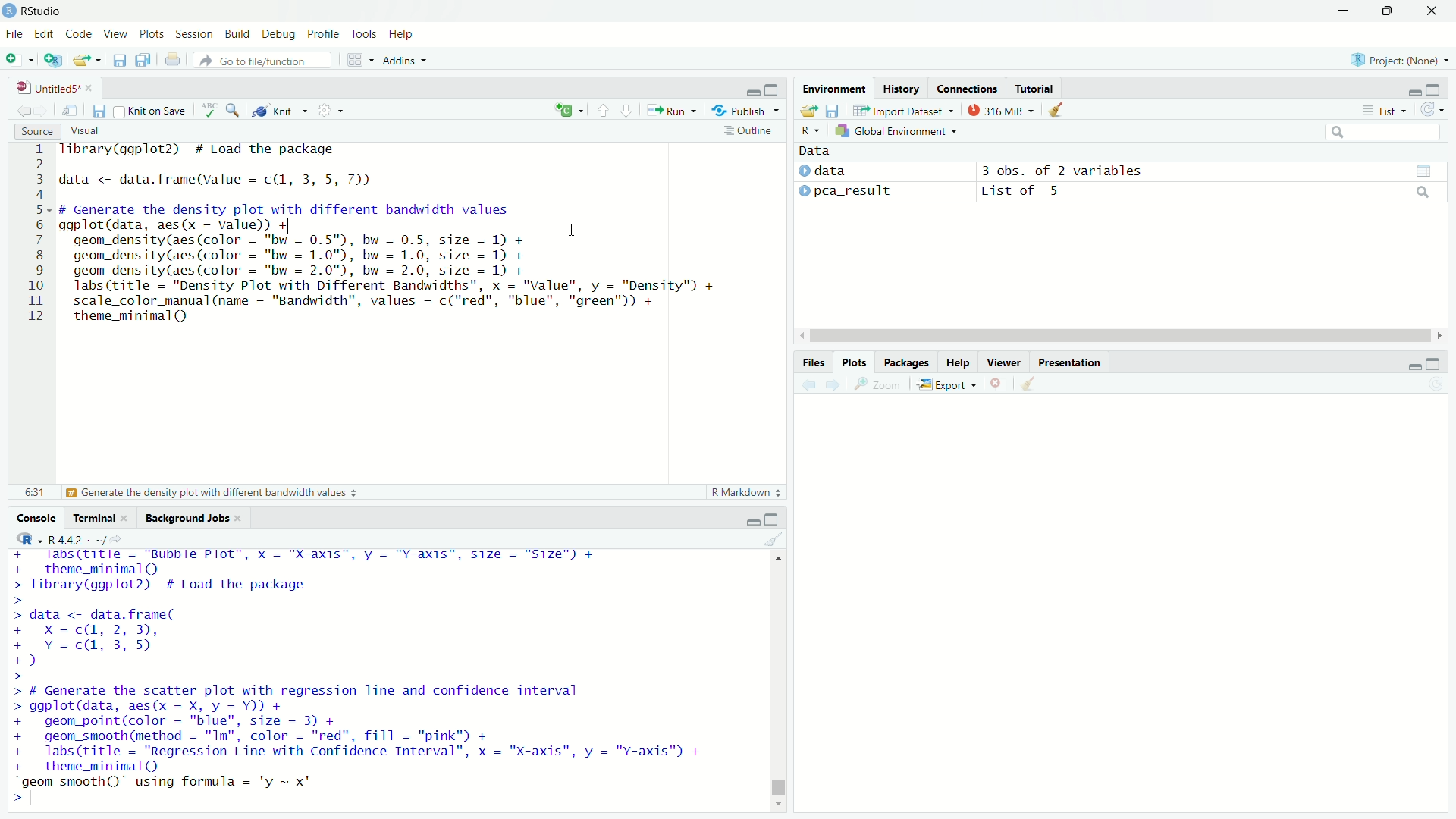 The image size is (1456, 819). What do you see at coordinates (832, 384) in the screenshot?
I see `Next plot` at bounding box center [832, 384].